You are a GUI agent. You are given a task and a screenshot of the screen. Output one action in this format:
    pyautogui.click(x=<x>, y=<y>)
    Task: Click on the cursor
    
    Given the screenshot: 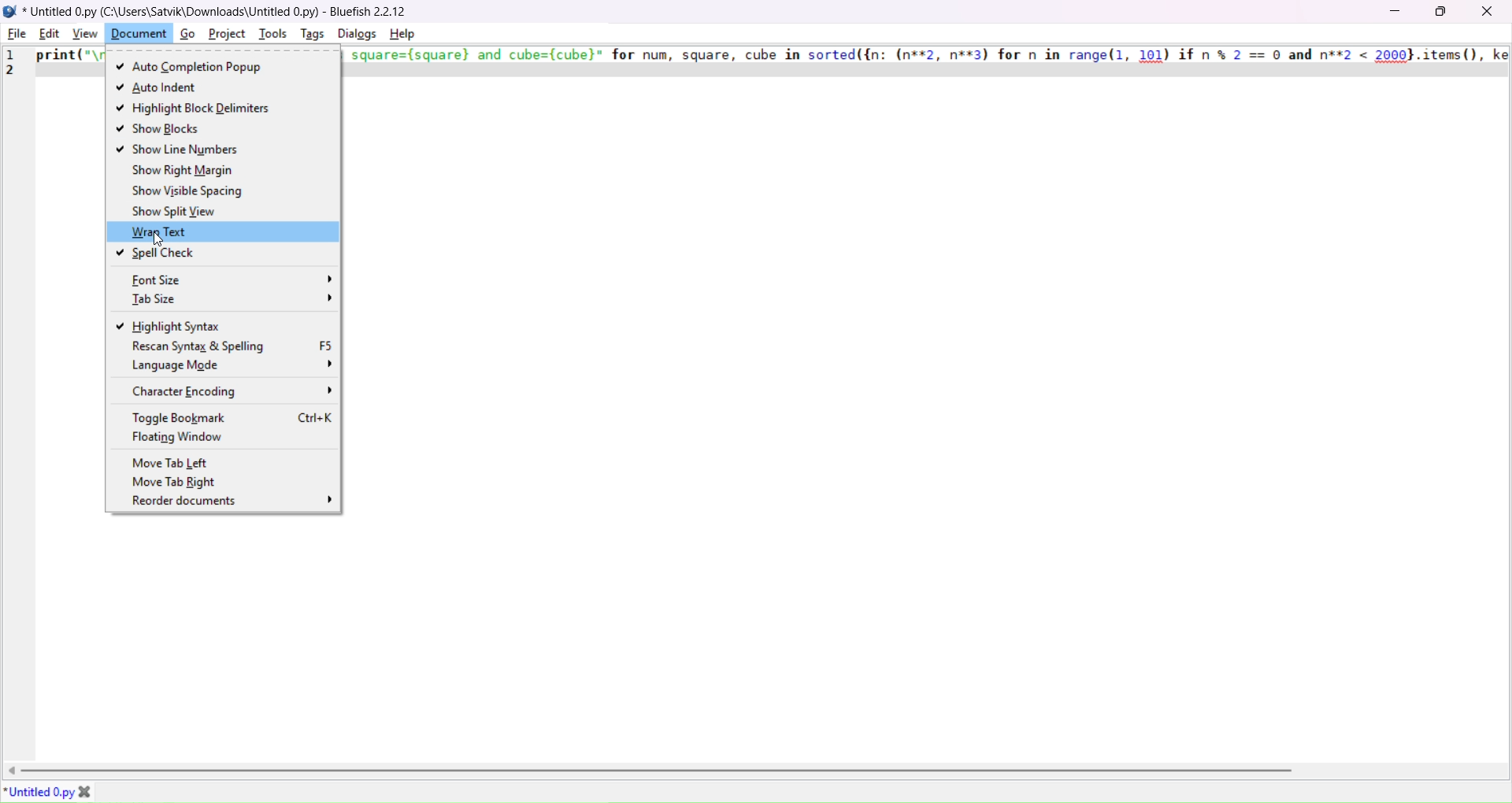 What is the action you would take?
    pyautogui.click(x=155, y=238)
    